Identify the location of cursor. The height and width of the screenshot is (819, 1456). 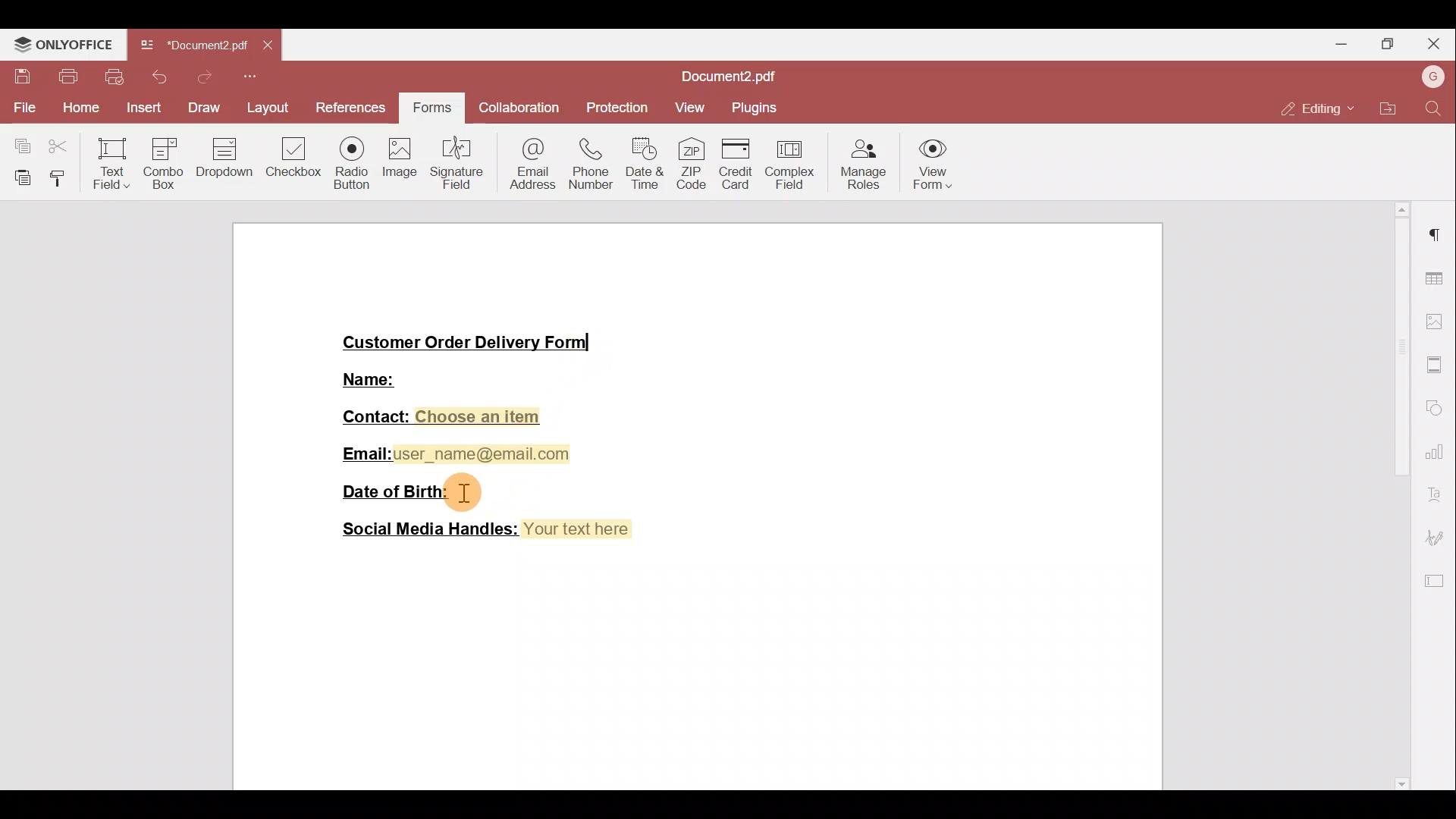
(464, 494).